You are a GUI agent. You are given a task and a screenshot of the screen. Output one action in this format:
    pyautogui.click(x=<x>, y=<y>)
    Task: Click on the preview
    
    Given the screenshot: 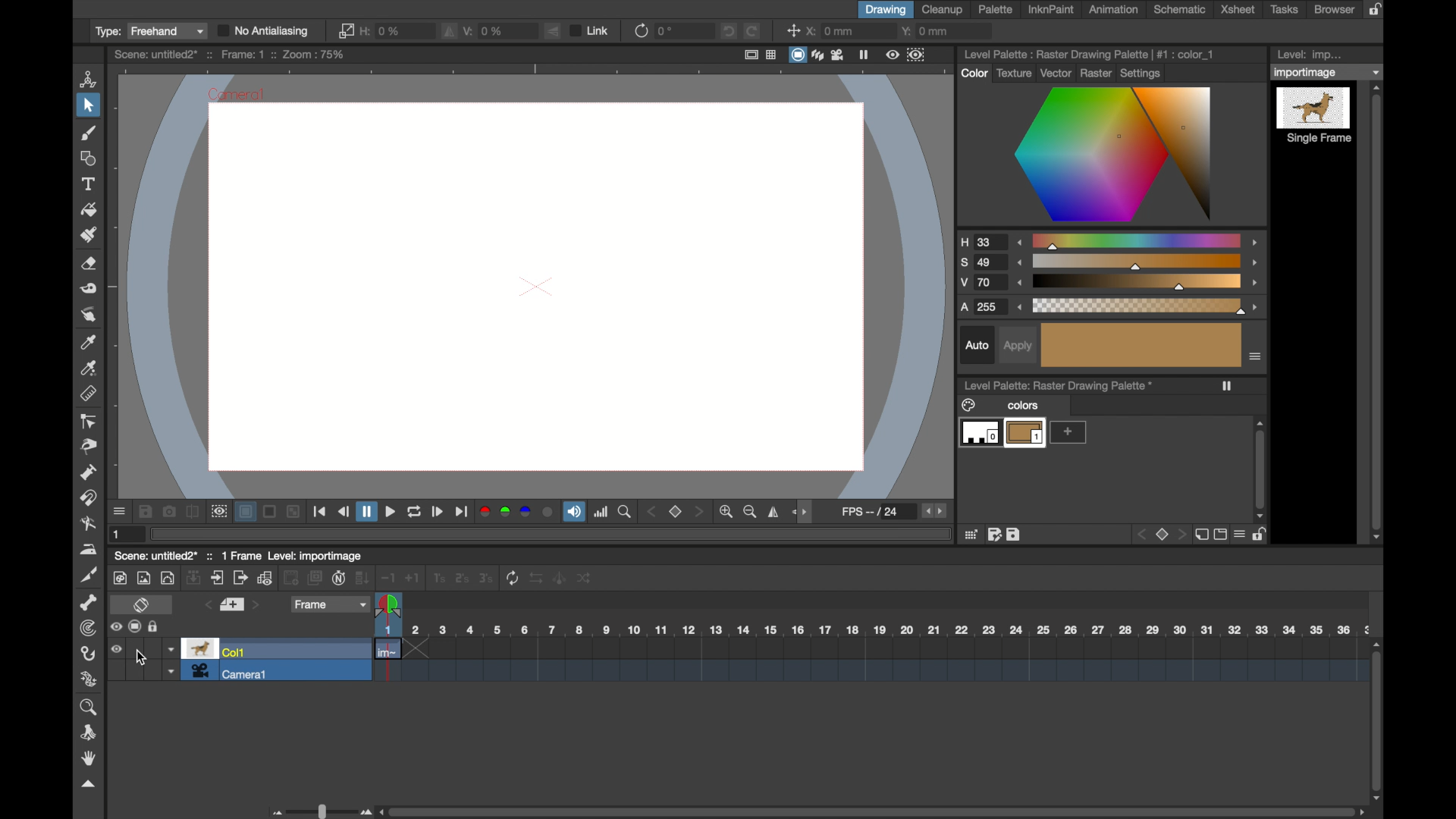 What is the action you would take?
    pyautogui.click(x=218, y=511)
    